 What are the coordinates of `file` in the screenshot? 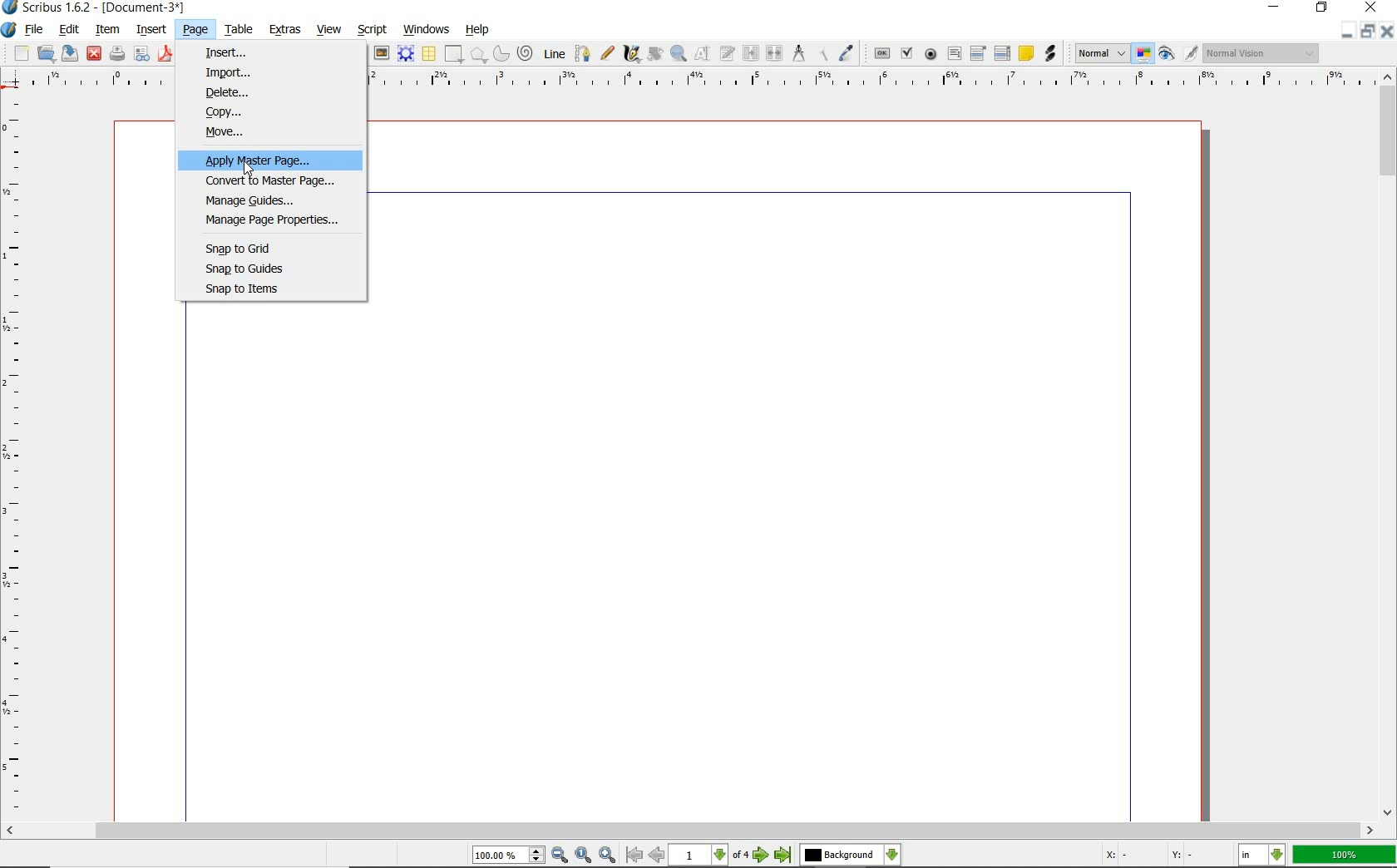 It's located at (36, 29).